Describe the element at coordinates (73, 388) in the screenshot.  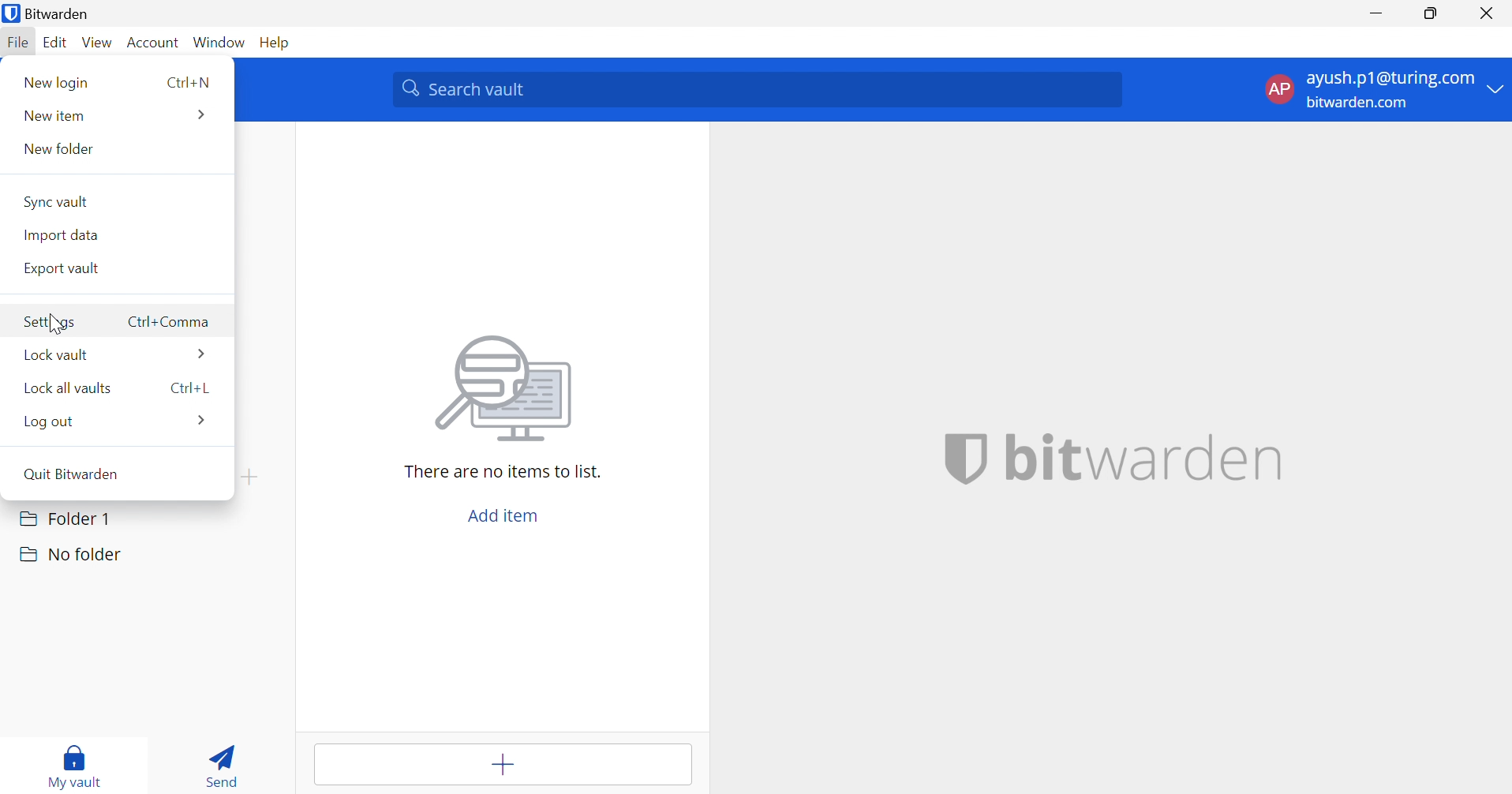
I see `Local vaults` at that location.